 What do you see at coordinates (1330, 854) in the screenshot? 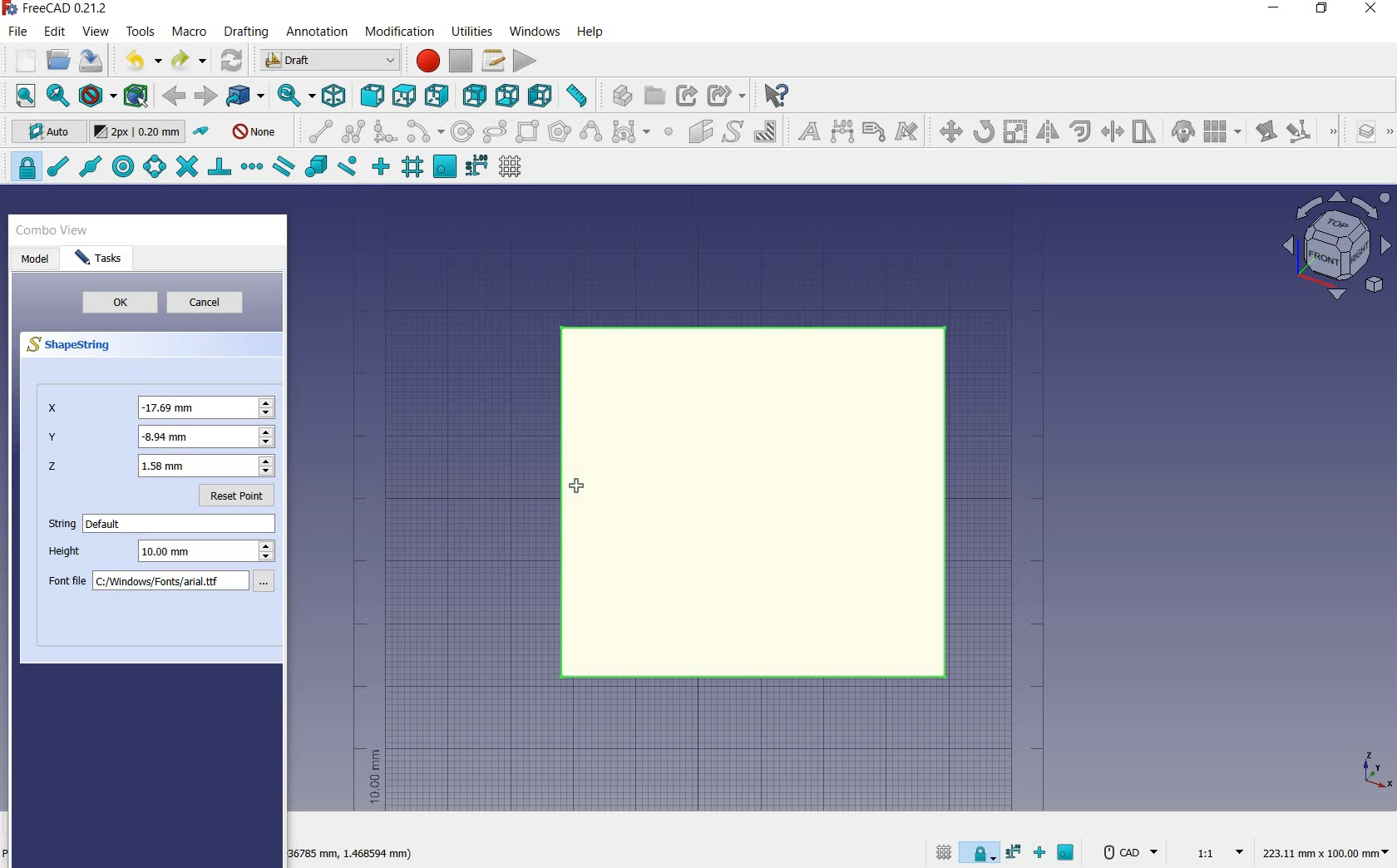
I see `dimension` at bounding box center [1330, 854].